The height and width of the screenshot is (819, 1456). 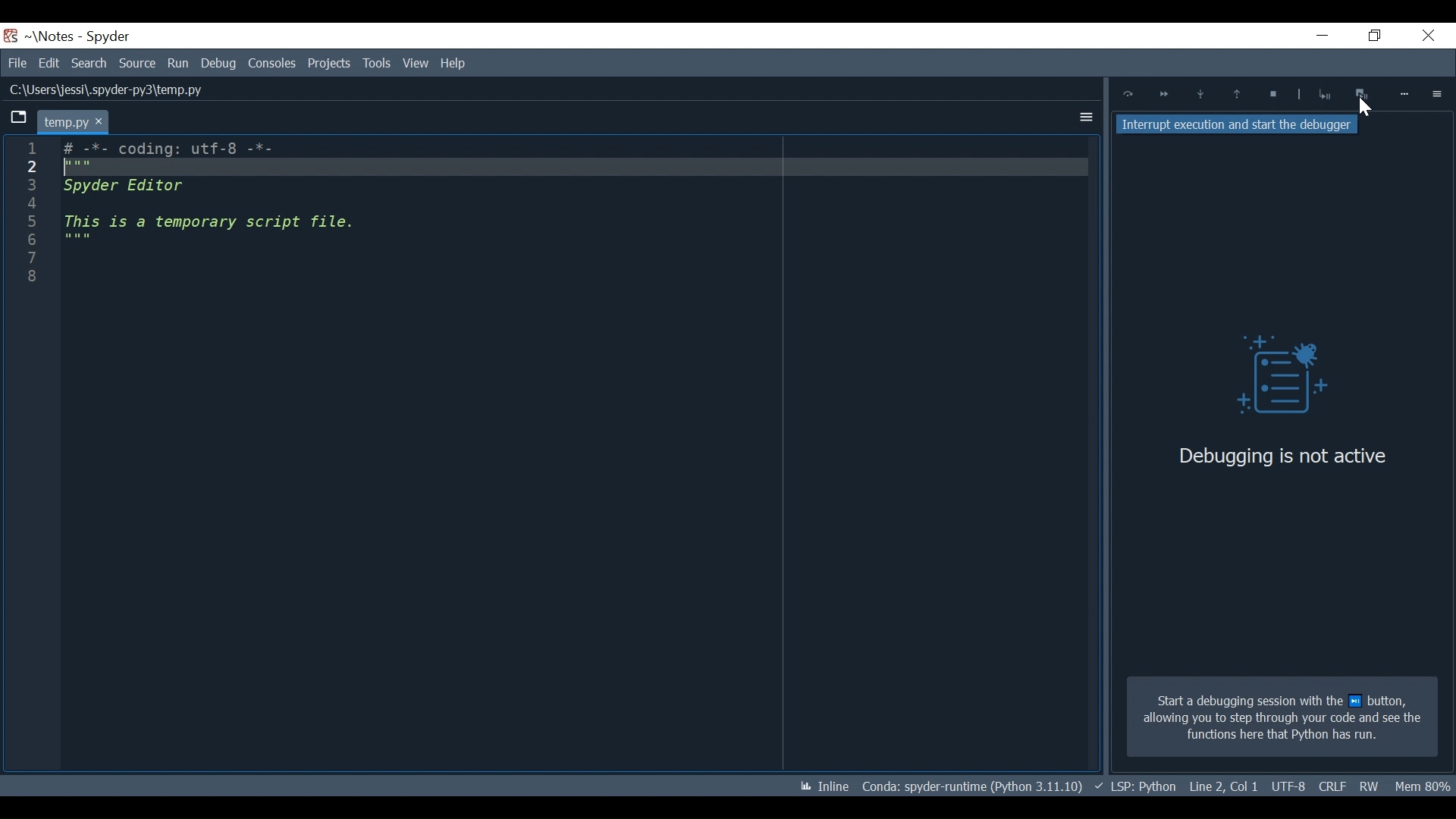 I want to click on Tools, so click(x=331, y=63).